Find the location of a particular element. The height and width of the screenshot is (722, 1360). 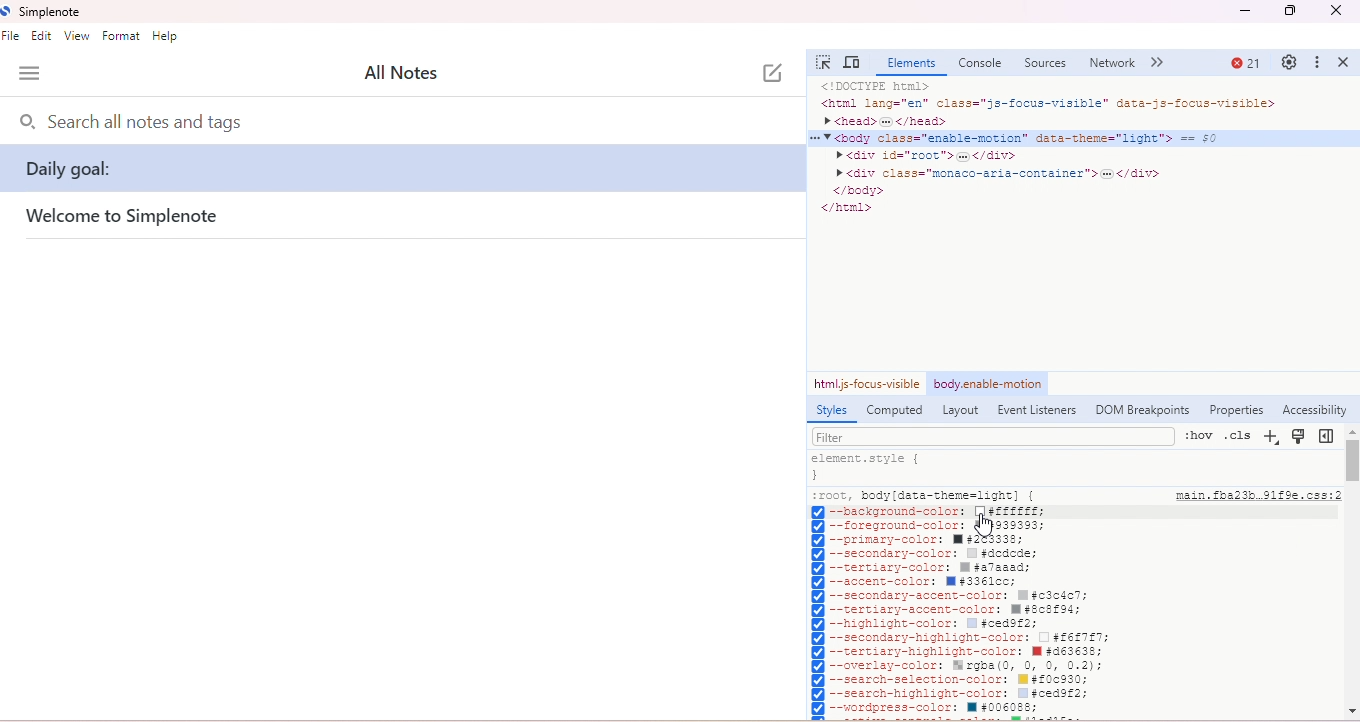

computed is located at coordinates (896, 411).